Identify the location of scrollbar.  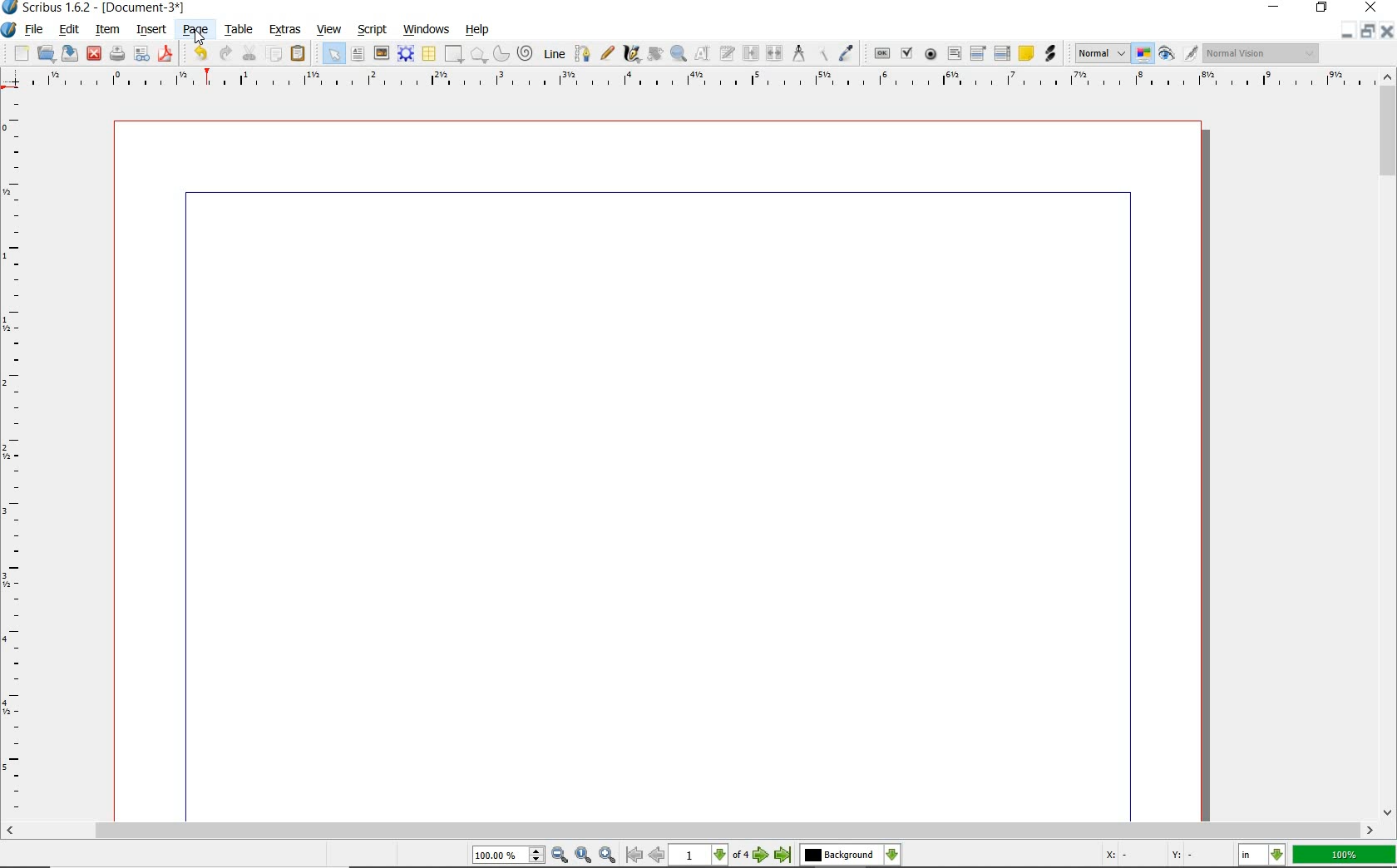
(690, 831).